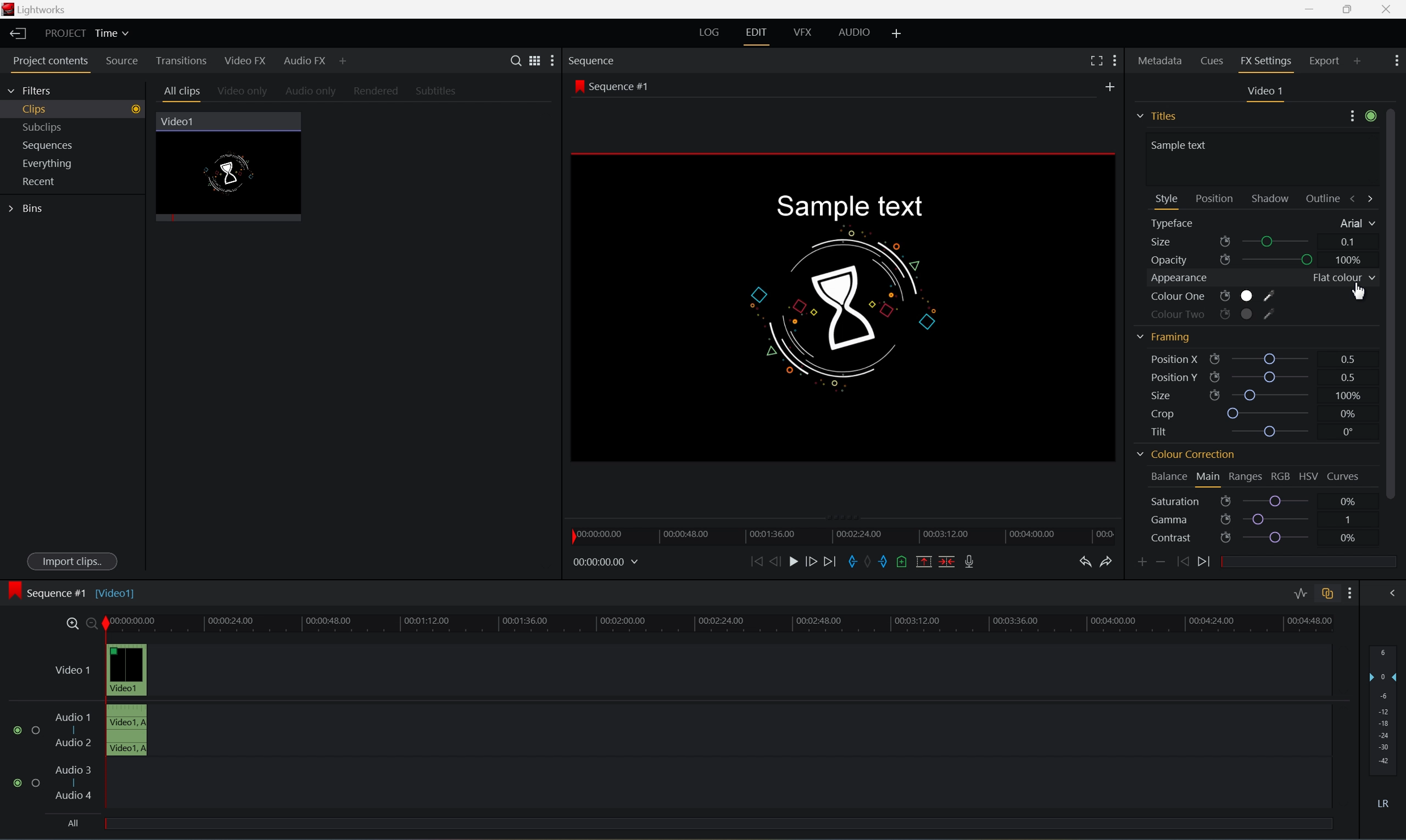 This screenshot has width=1406, height=840. What do you see at coordinates (1362, 198) in the screenshot?
I see `back / forward` at bounding box center [1362, 198].